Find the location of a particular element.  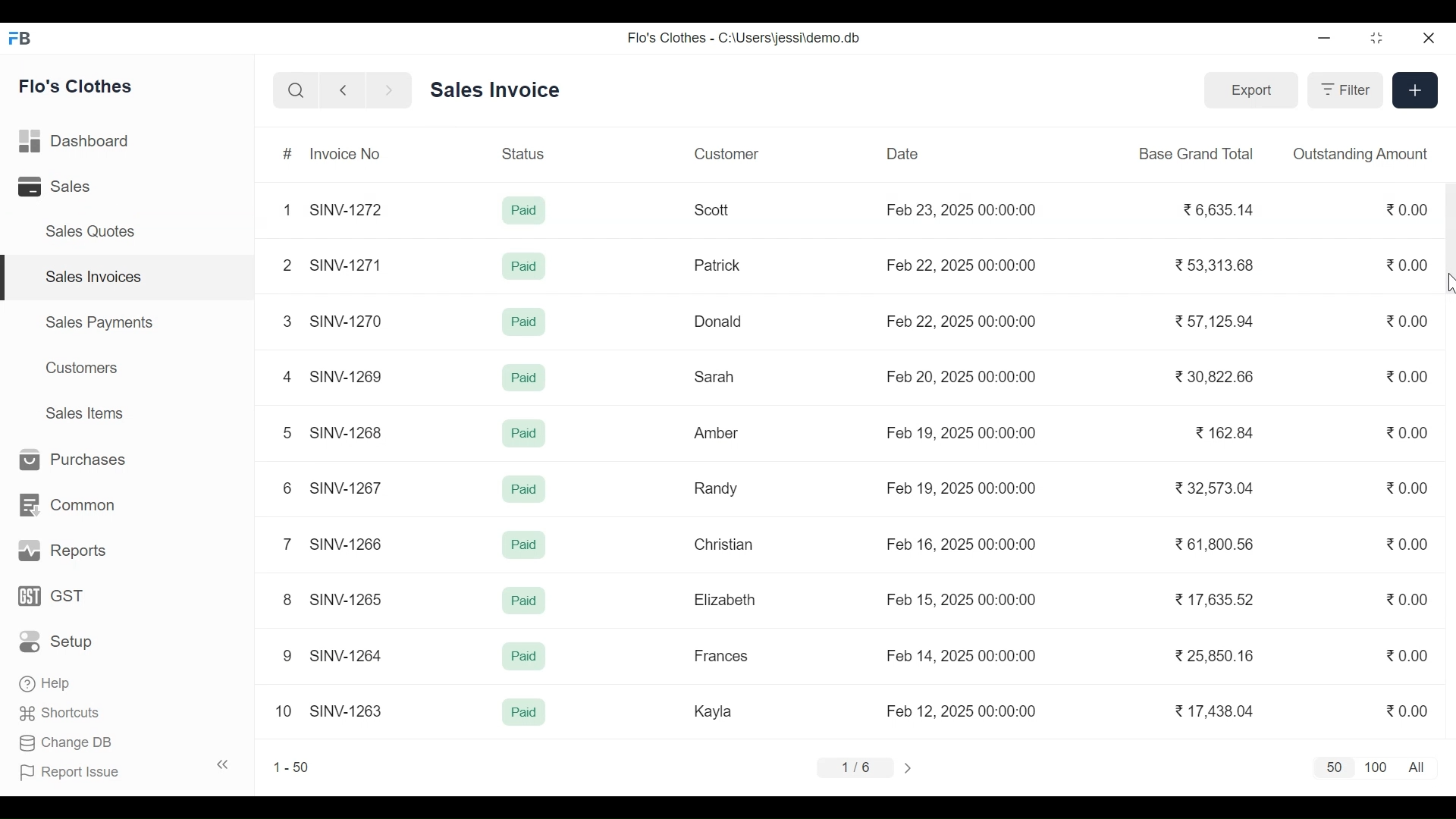

0.00 is located at coordinates (1407, 320).